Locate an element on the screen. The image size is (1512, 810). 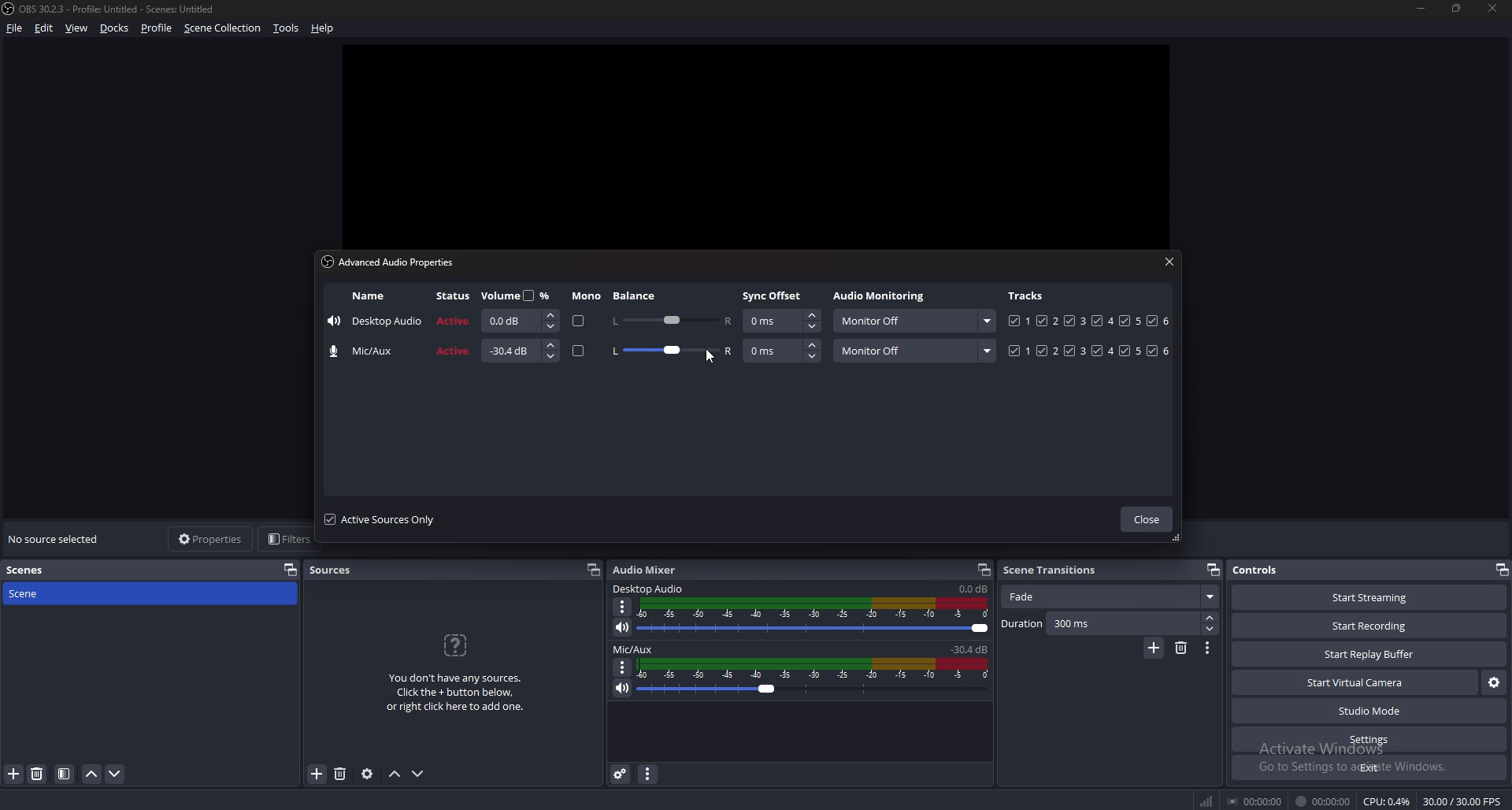
edit is located at coordinates (44, 28).